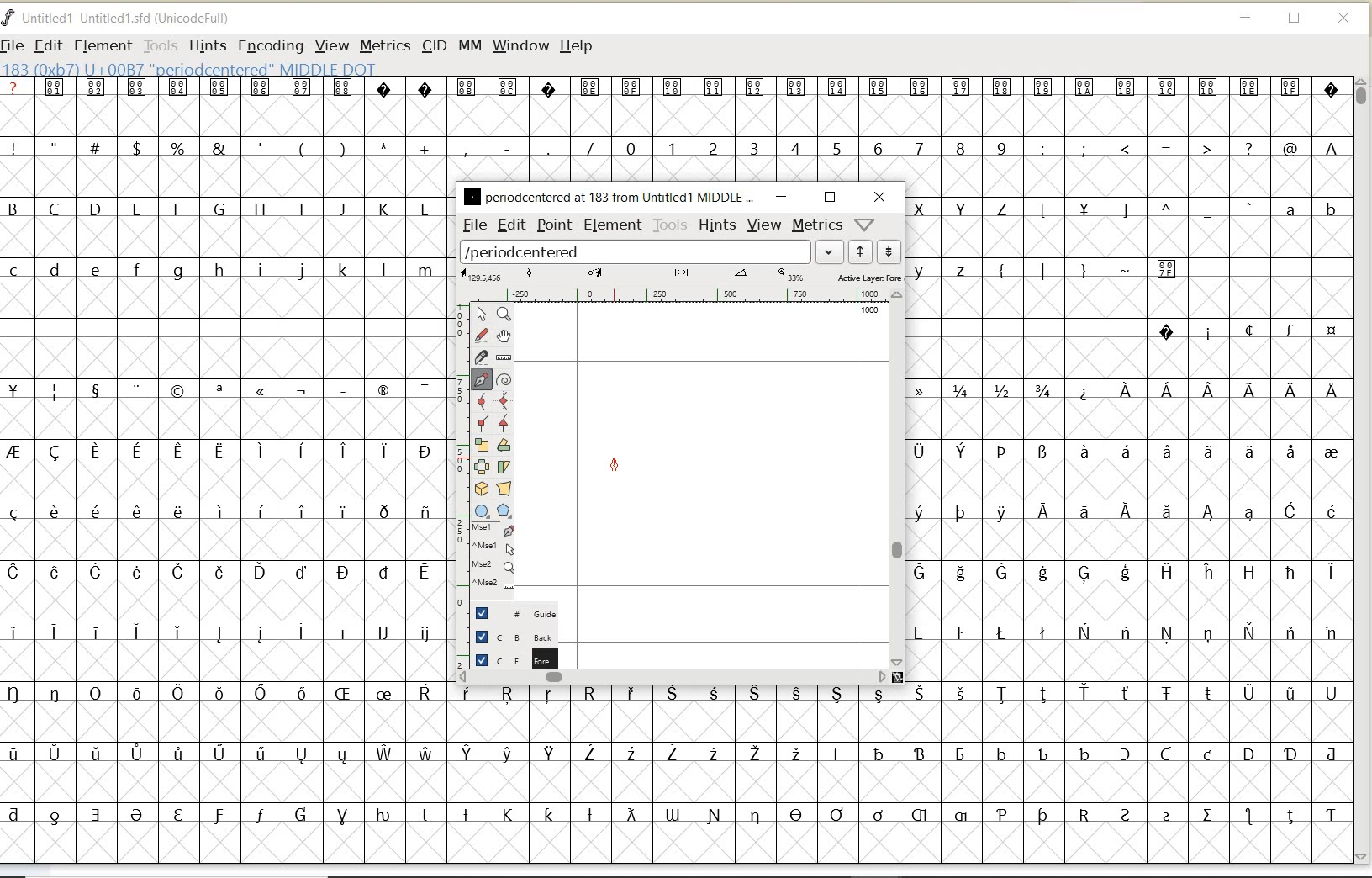  I want to click on scrollbar, so click(673, 677).